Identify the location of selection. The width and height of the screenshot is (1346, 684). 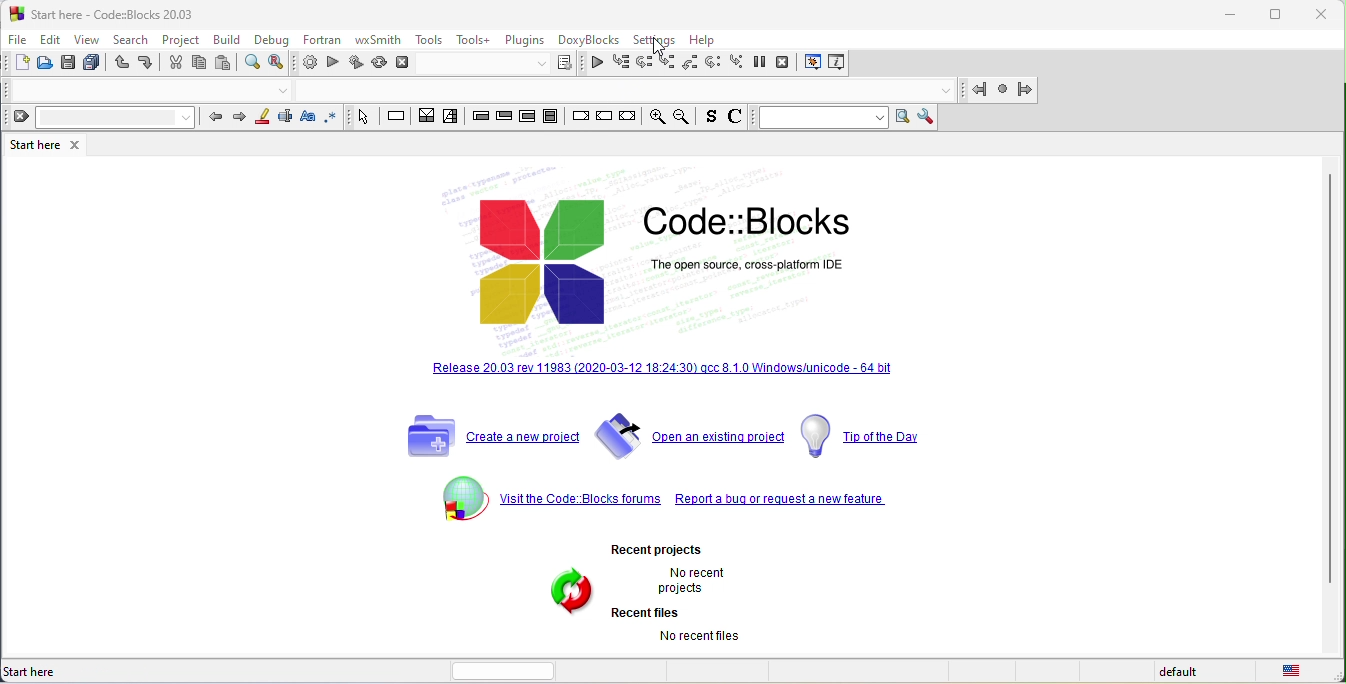
(454, 116).